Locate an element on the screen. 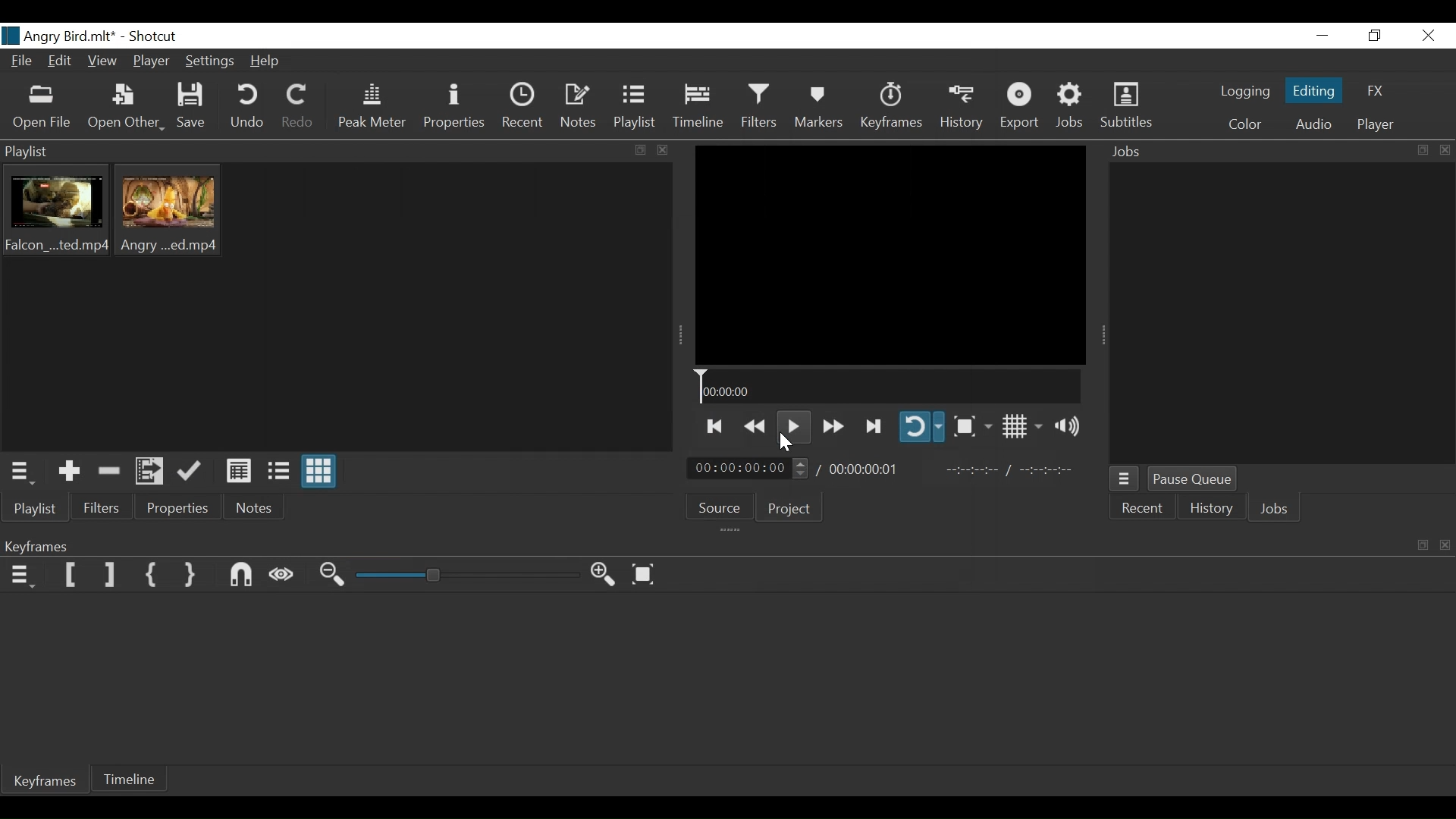  Recent is located at coordinates (522, 108).